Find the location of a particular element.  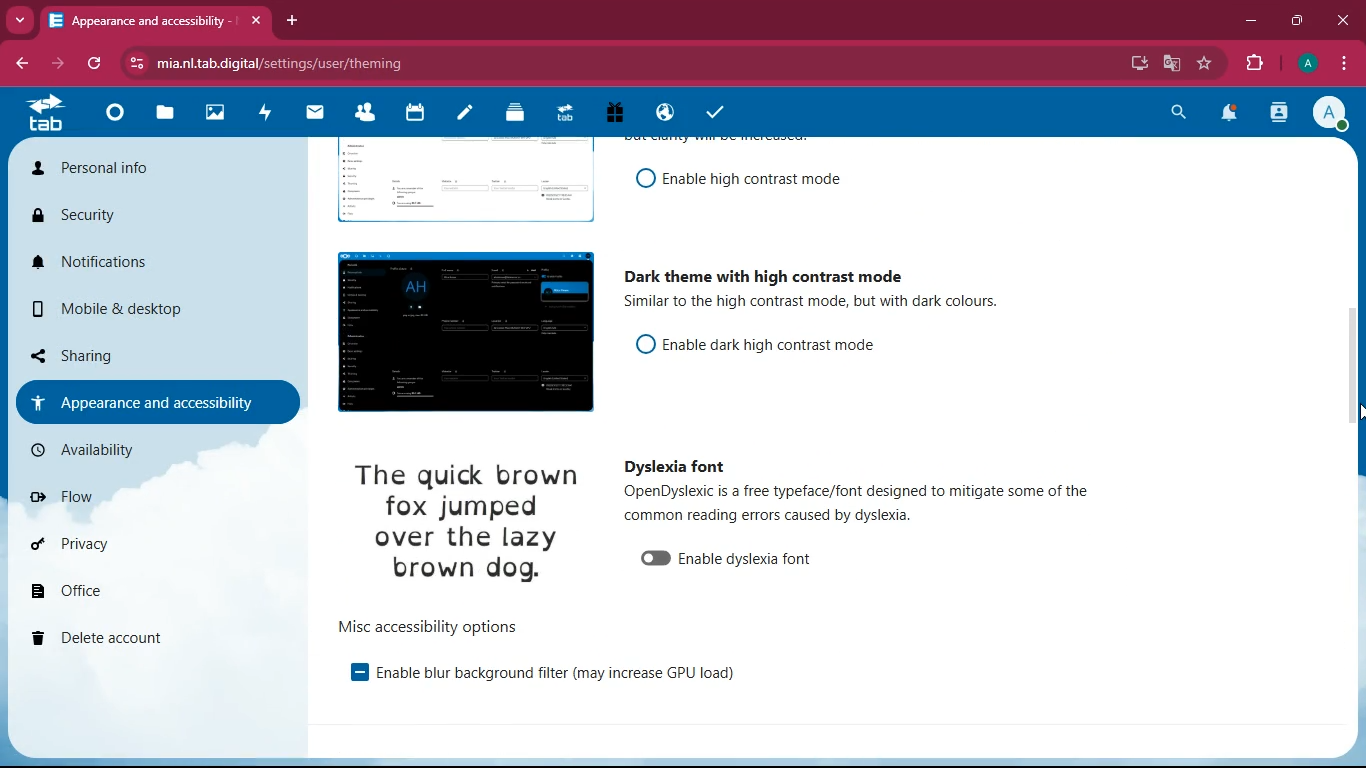

mobile is located at coordinates (130, 308).